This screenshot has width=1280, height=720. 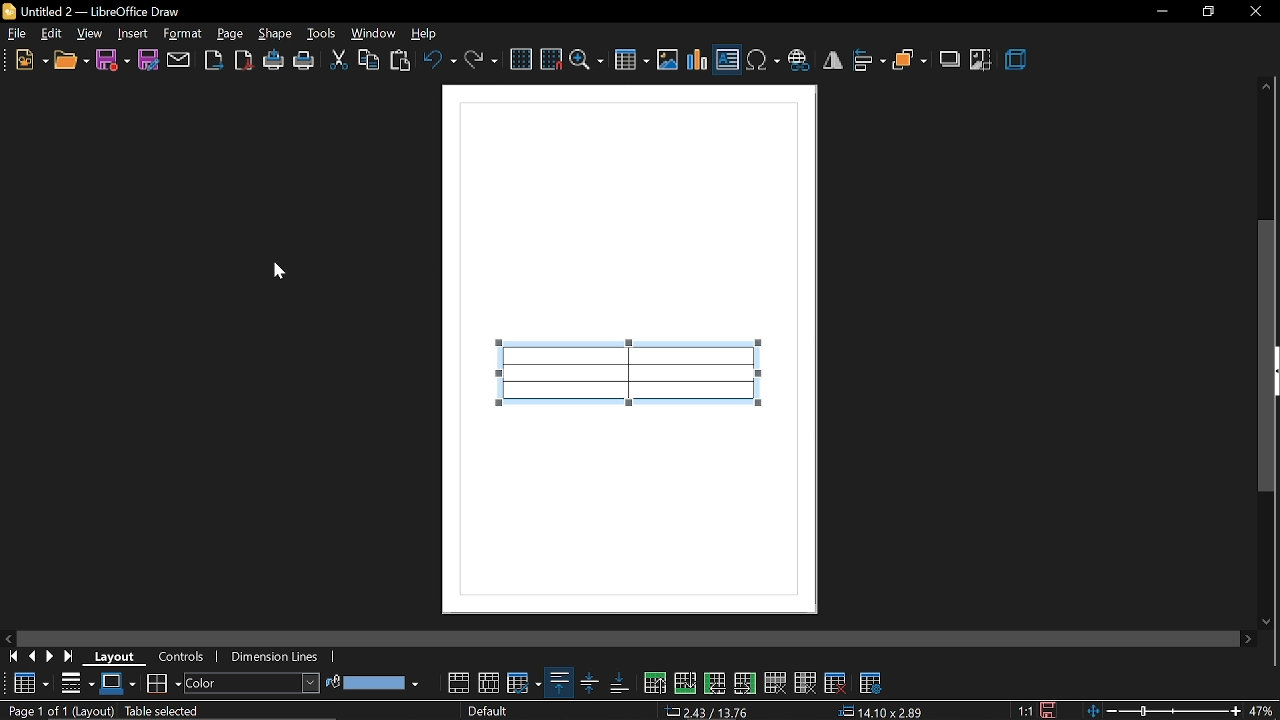 I want to click on move up, so click(x=1267, y=86).